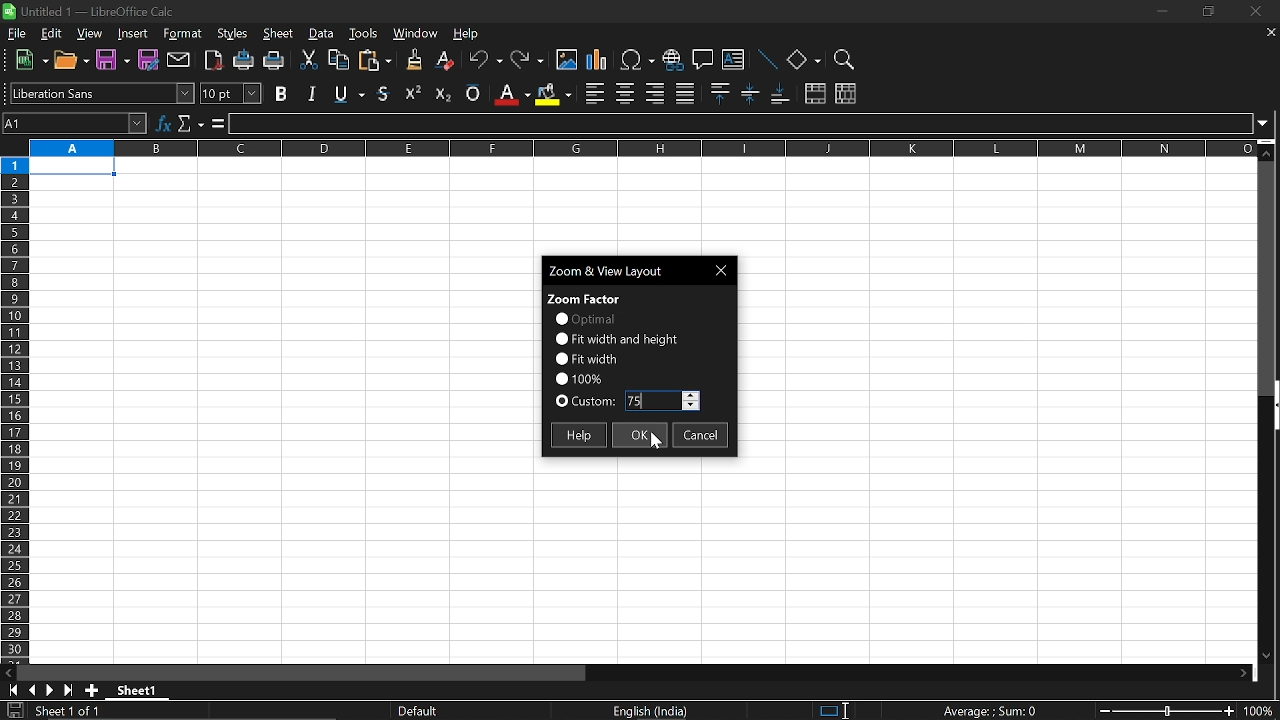  I want to click on merge cells, so click(815, 95).